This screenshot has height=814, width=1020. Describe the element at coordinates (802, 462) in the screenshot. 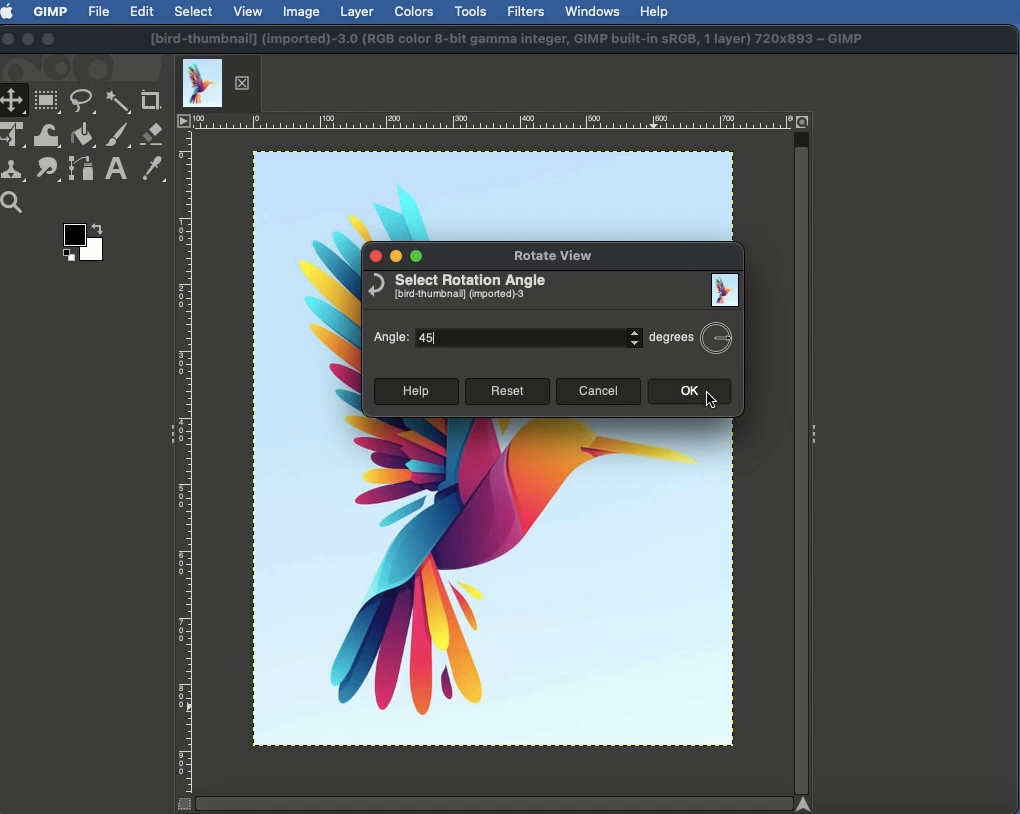

I see `vertical Scrollbar` at that location.